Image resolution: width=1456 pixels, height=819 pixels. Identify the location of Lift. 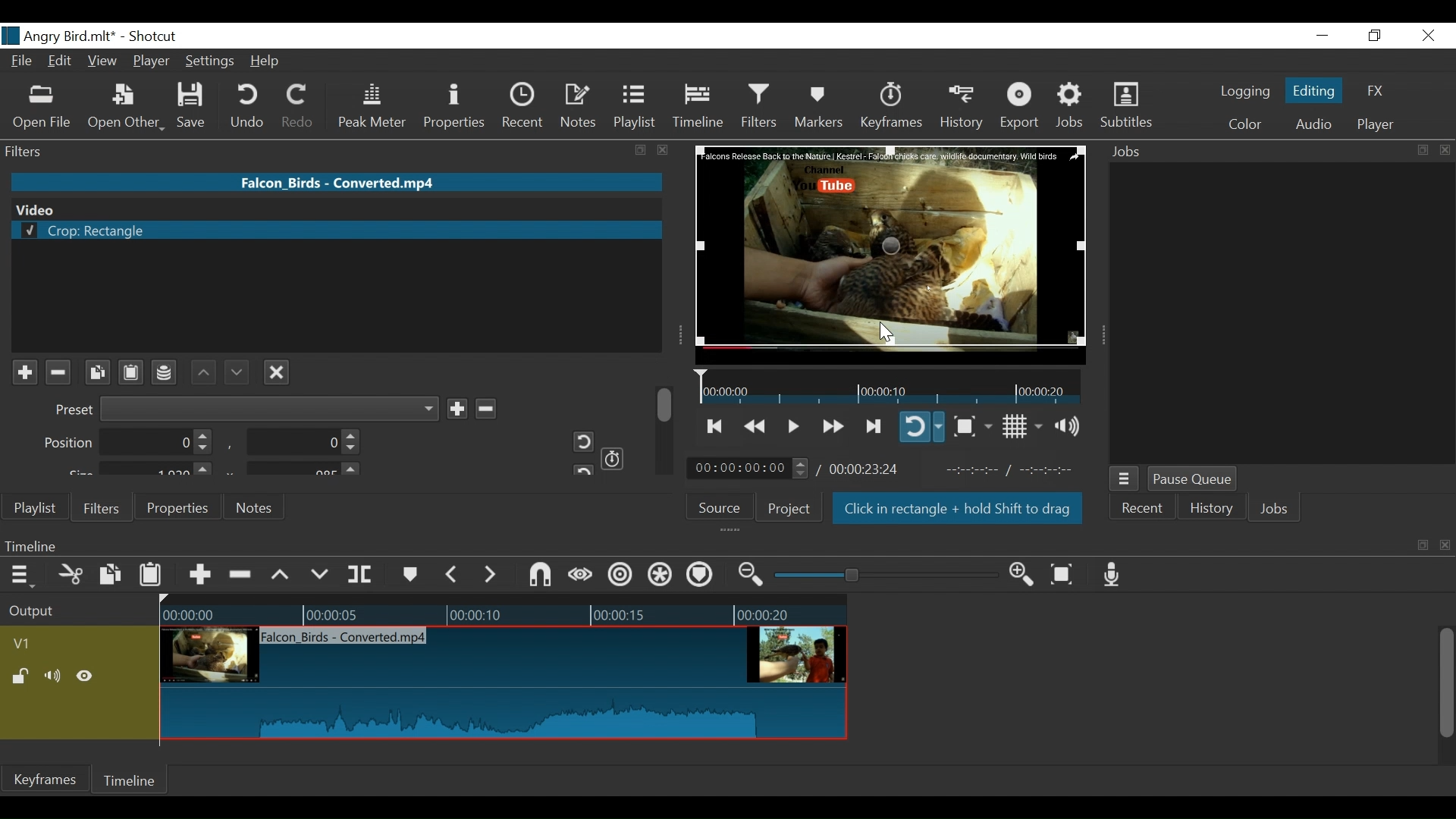
(283, 576).